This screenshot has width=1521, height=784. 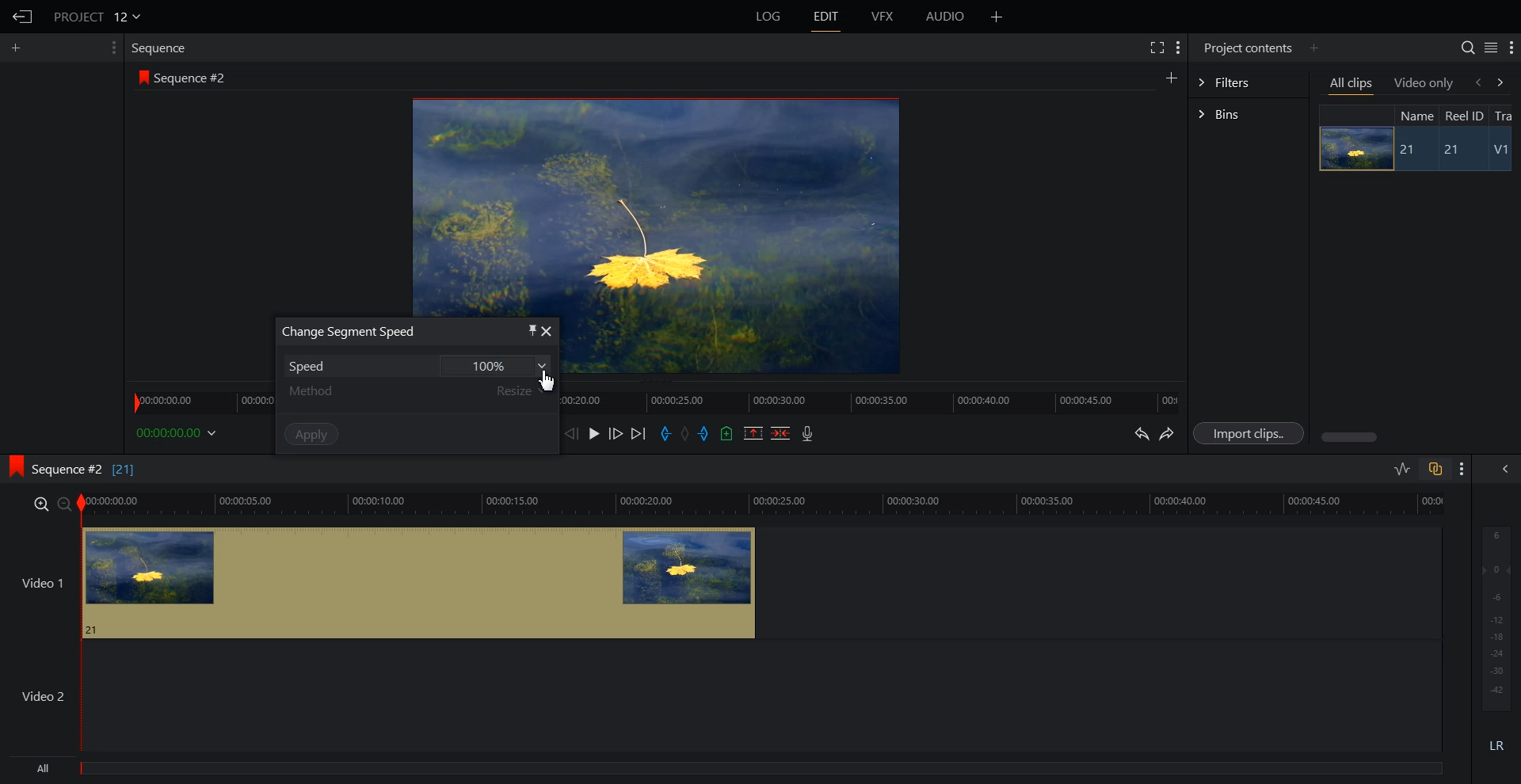 What do you see at coordinates (20, 48) in the screenshot?
I see `Add panel` at bounding box center [20, 48].